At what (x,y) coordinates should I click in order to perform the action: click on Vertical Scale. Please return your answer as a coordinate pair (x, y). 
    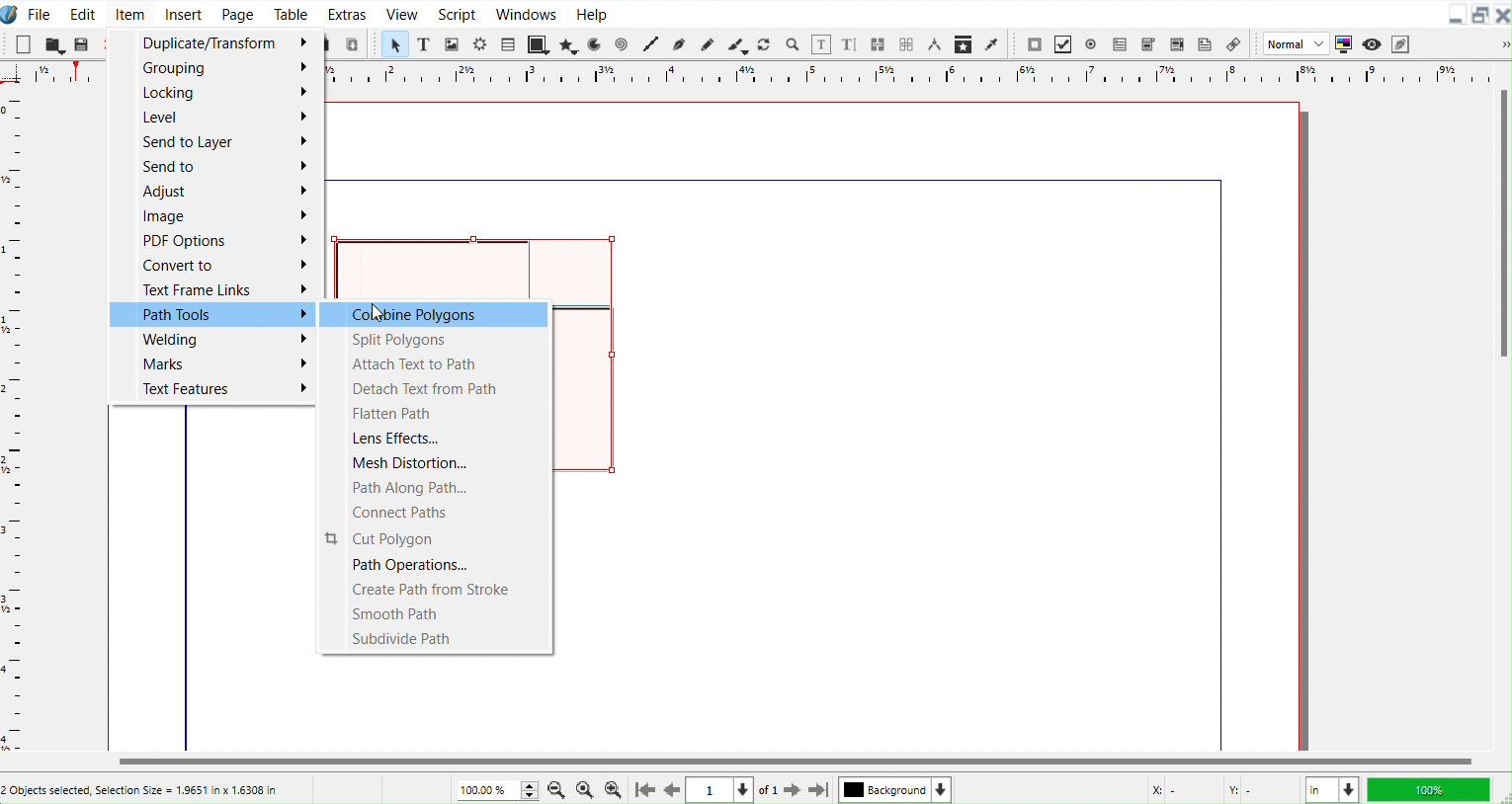
    Looking at the image, I should click on (904, 76).